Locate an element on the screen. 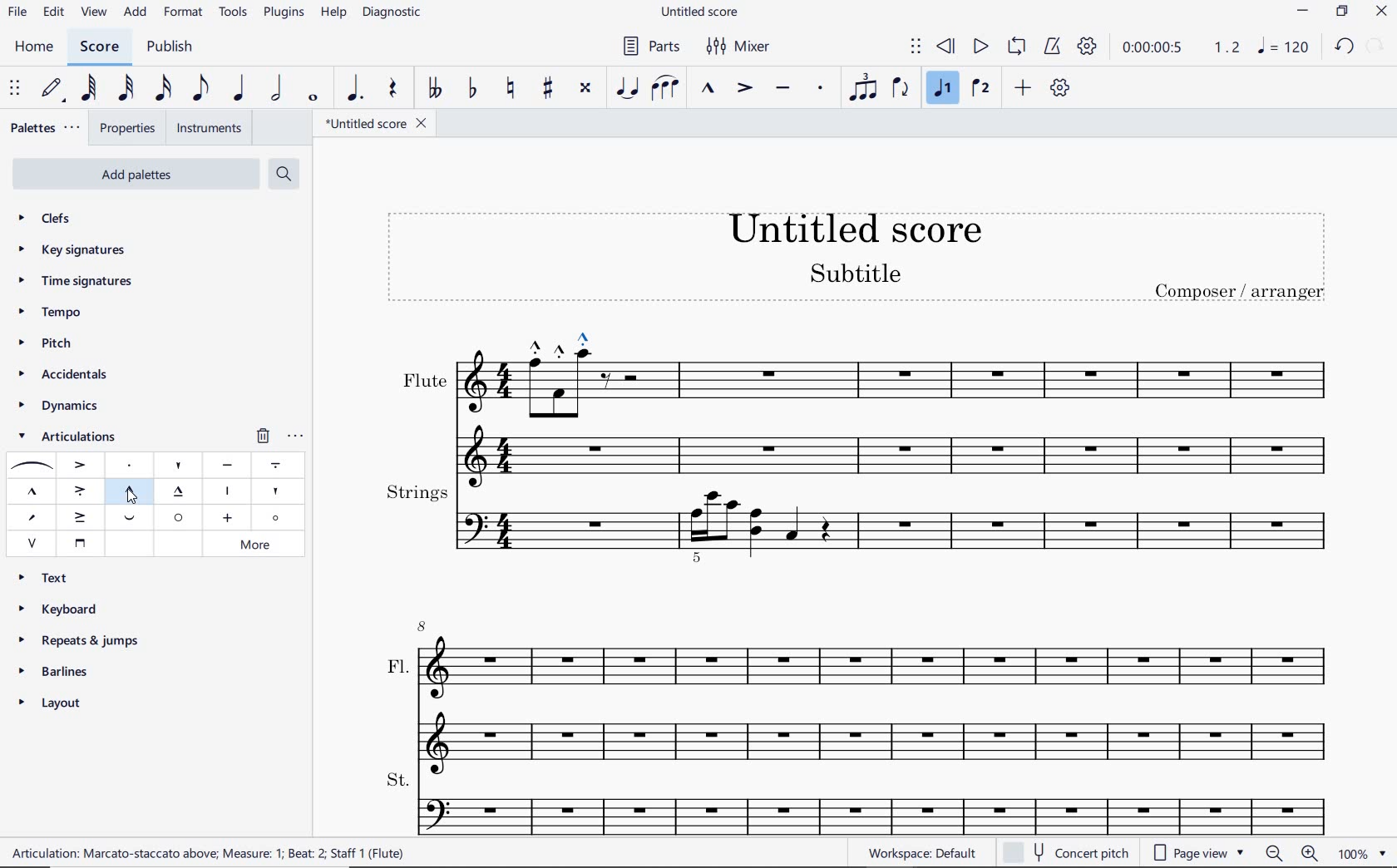 This screenshot has width=1397, height=868. STACCATO is located at coordinates (822, 89).